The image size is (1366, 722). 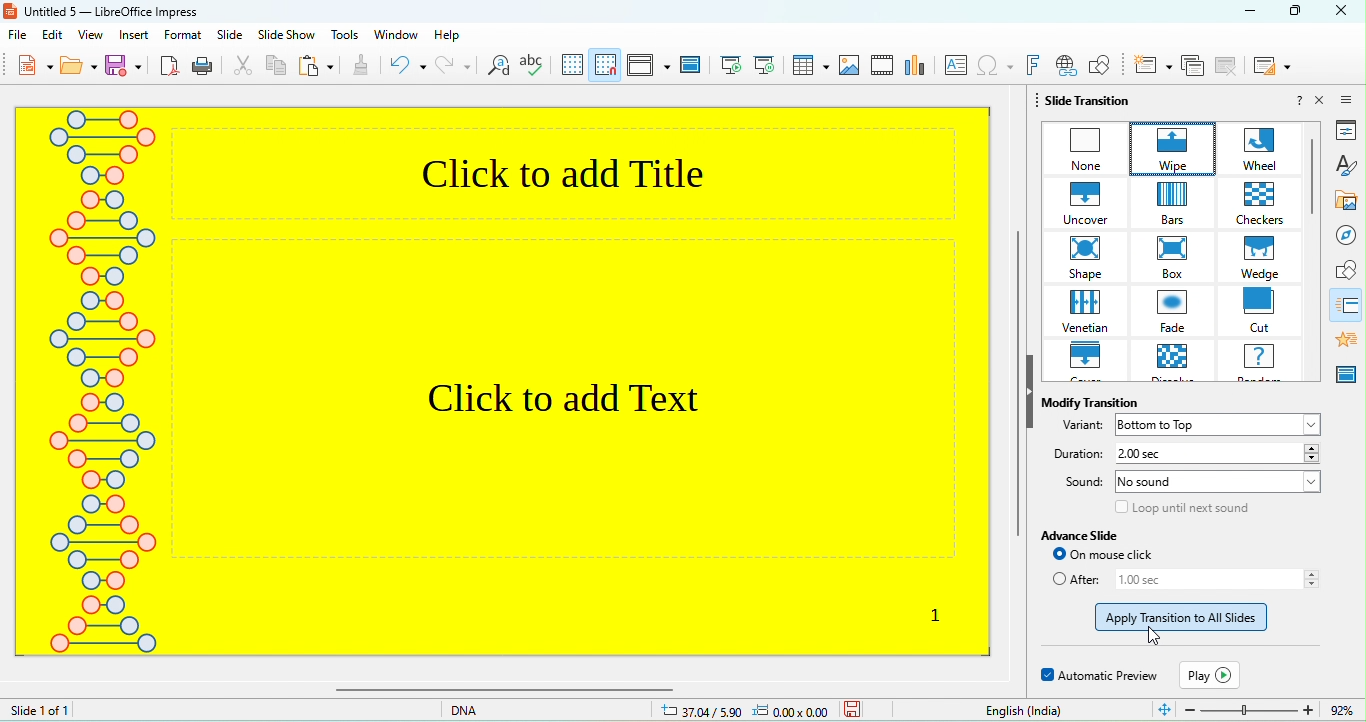 I want to click on bottom to up, so click(x=1222, y=424).